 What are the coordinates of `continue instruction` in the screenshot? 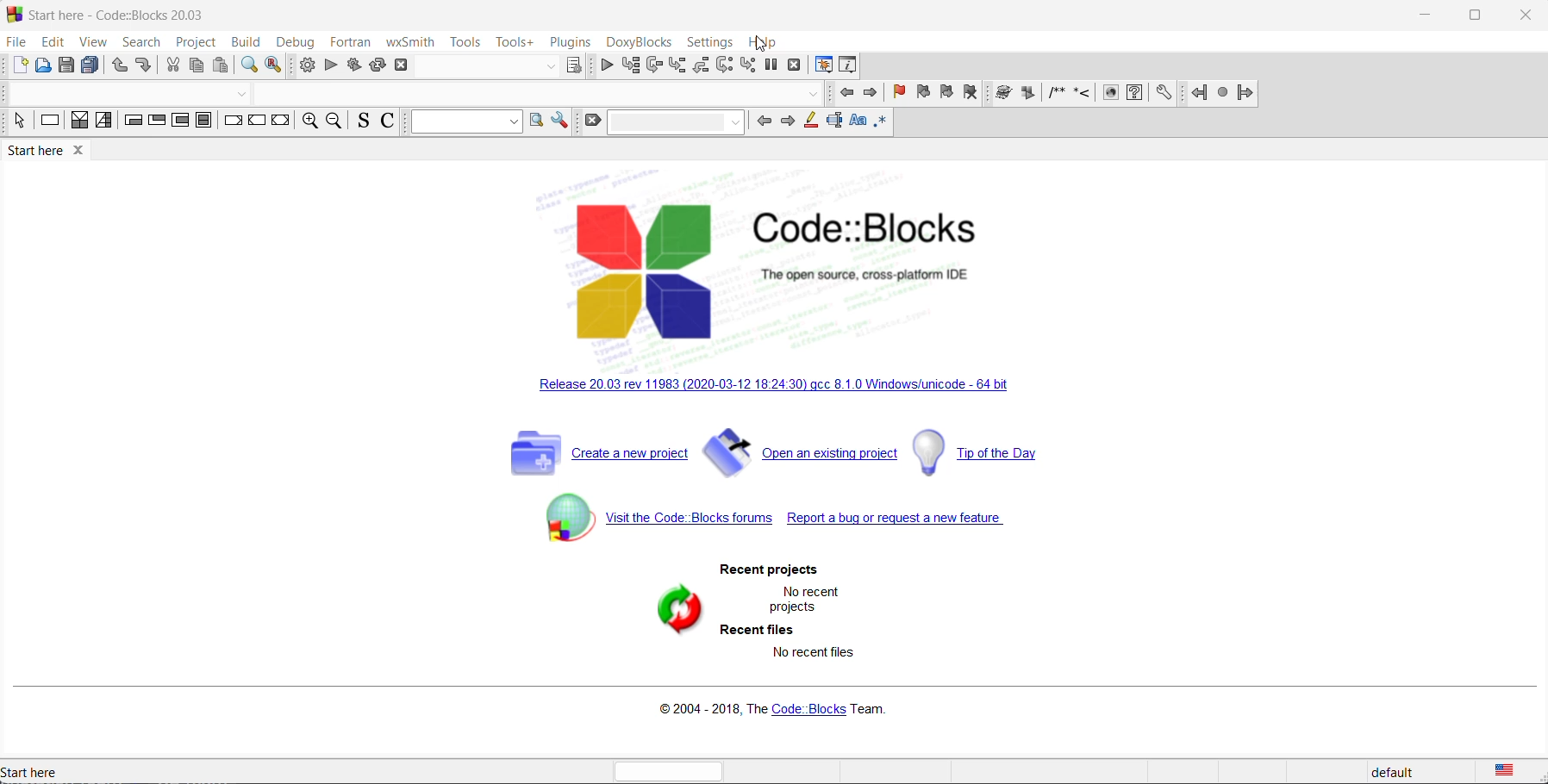 It's located at (257, 122).